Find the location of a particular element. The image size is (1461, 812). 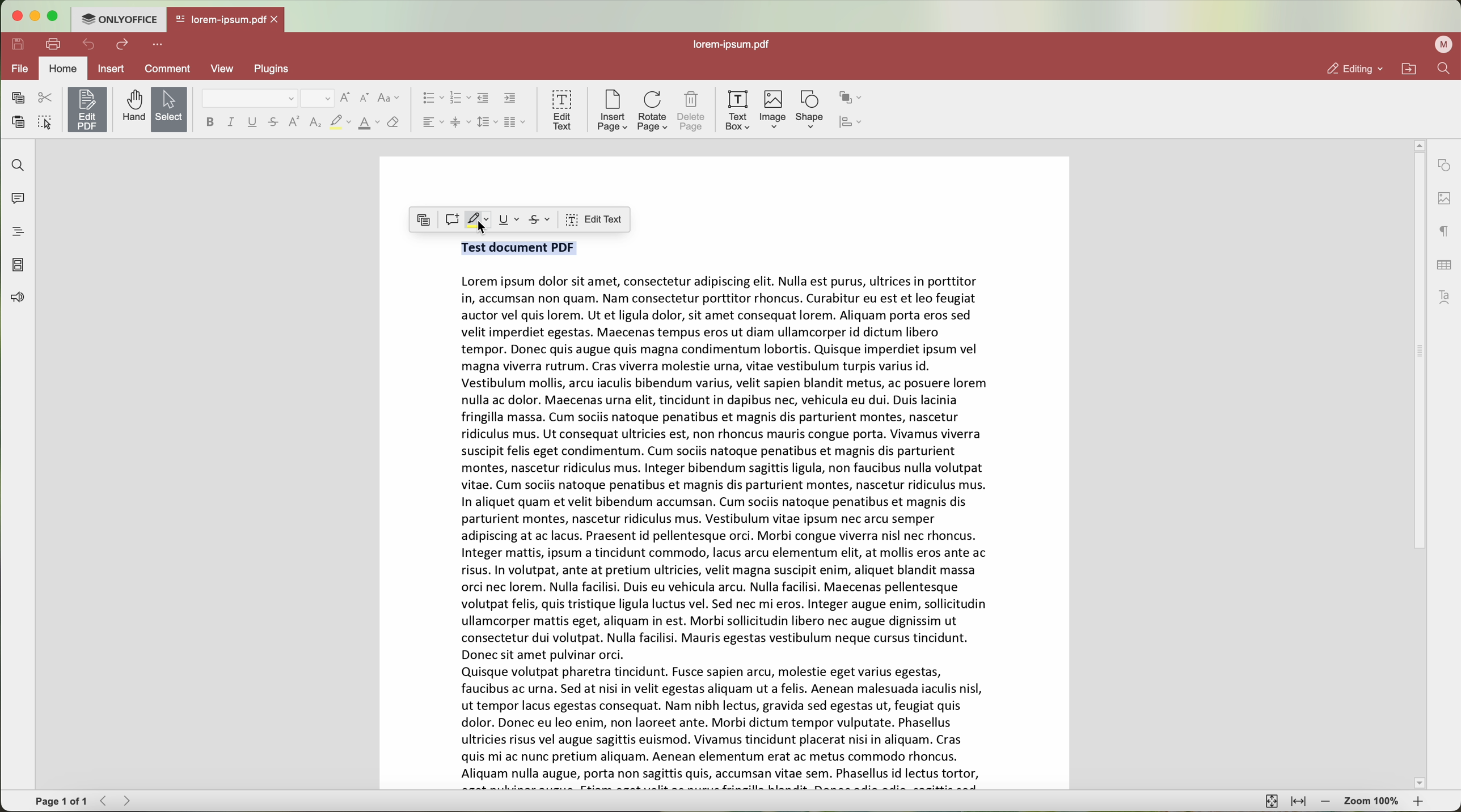

zoom out is located at coordinates (1328, 803).